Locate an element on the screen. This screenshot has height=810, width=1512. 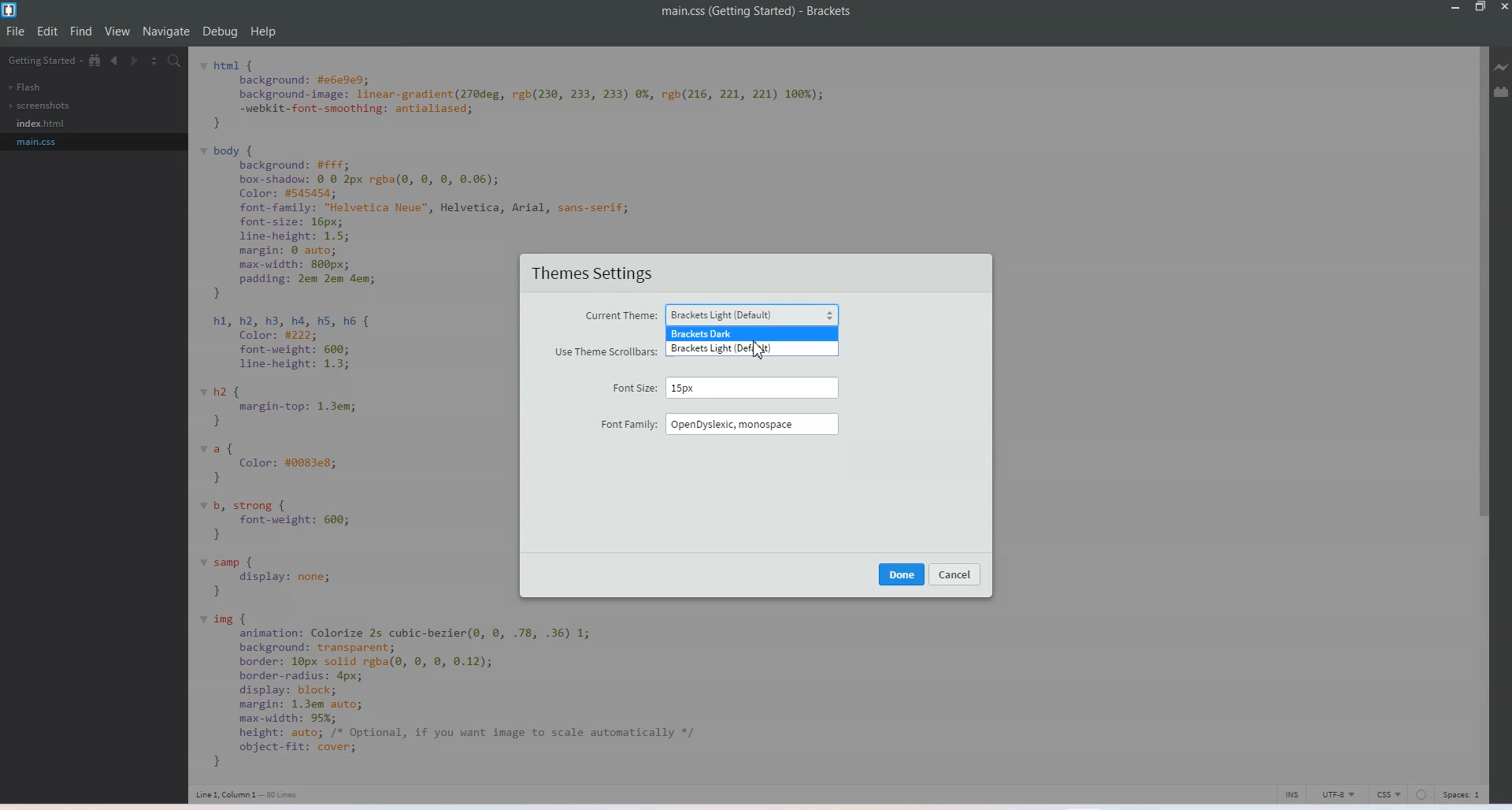
Debug is located at coordinates (220, 32).